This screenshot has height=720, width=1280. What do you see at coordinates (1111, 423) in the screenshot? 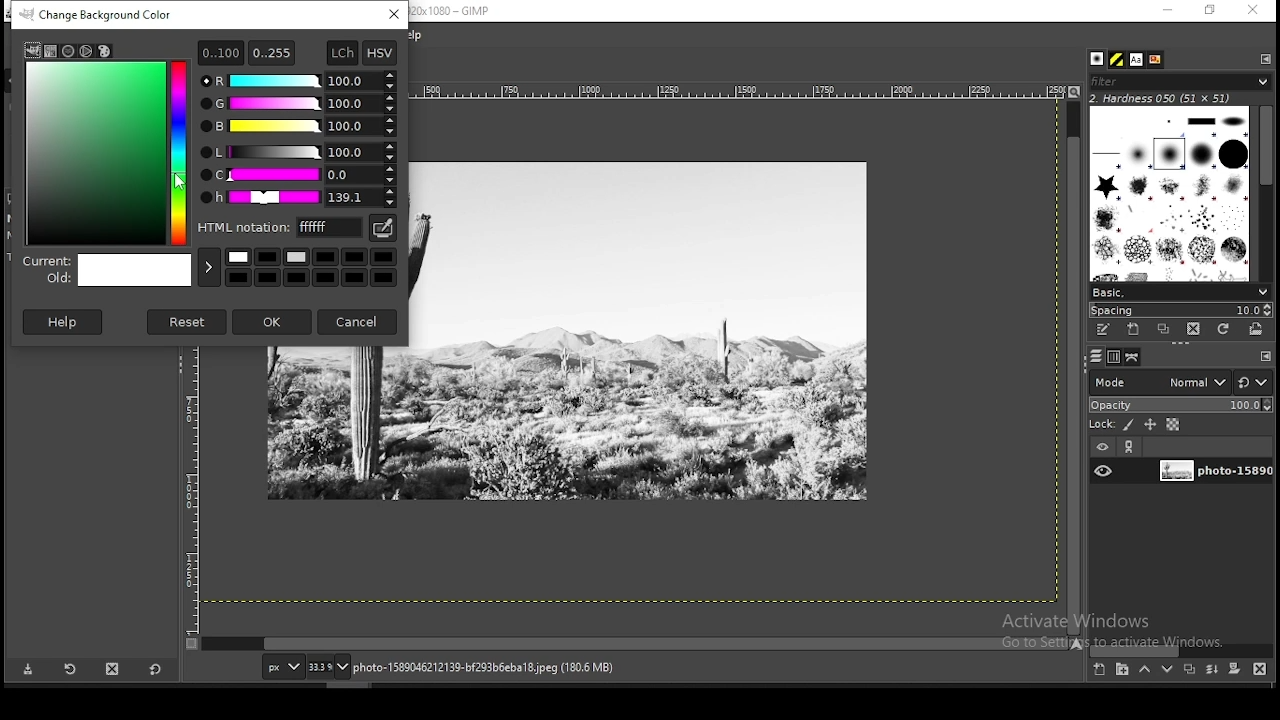
I see `lock pixels` at bounding box center [1111, 423].